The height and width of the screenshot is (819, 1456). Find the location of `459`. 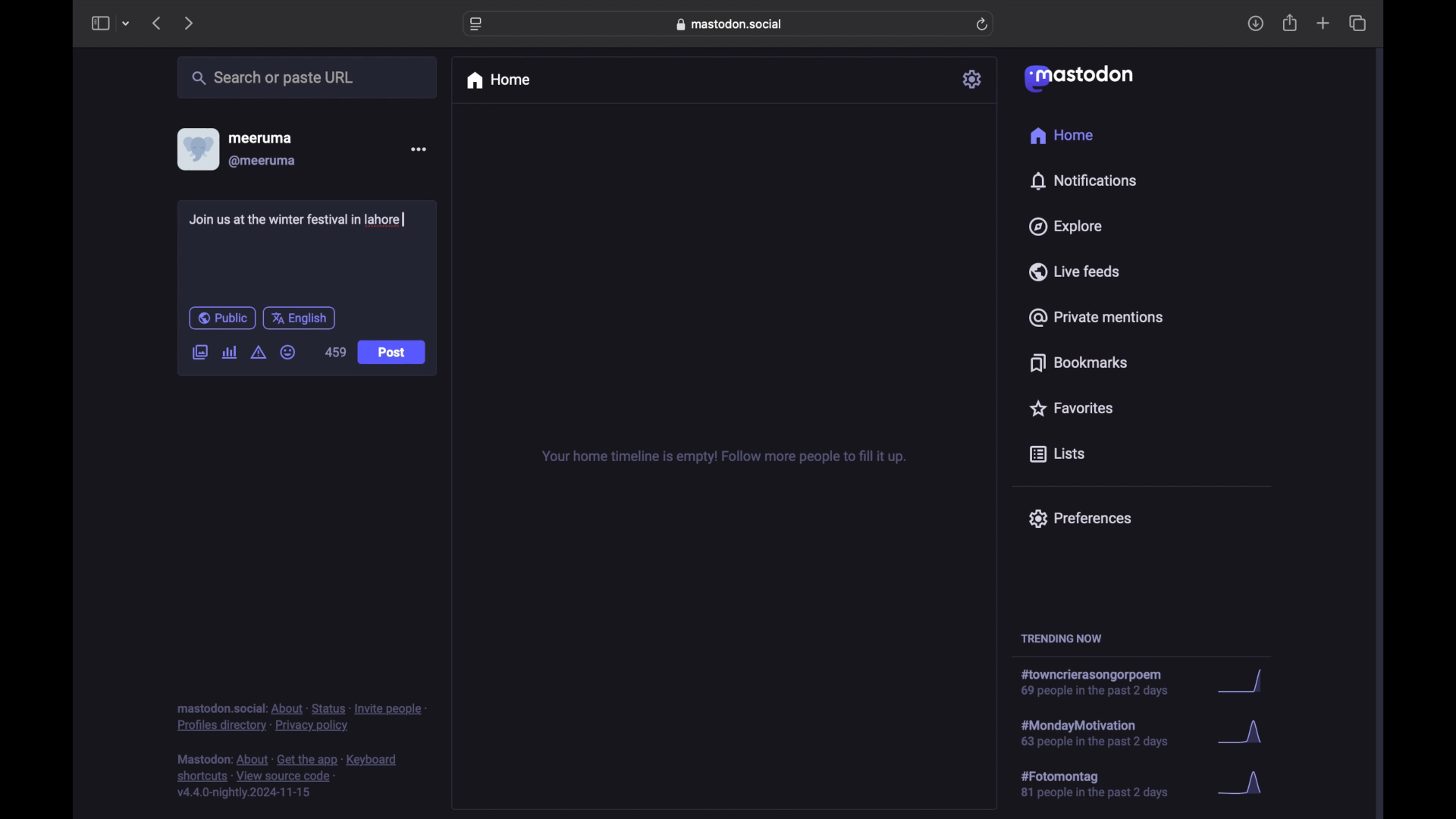

459 is located at coordinates (333, 352).